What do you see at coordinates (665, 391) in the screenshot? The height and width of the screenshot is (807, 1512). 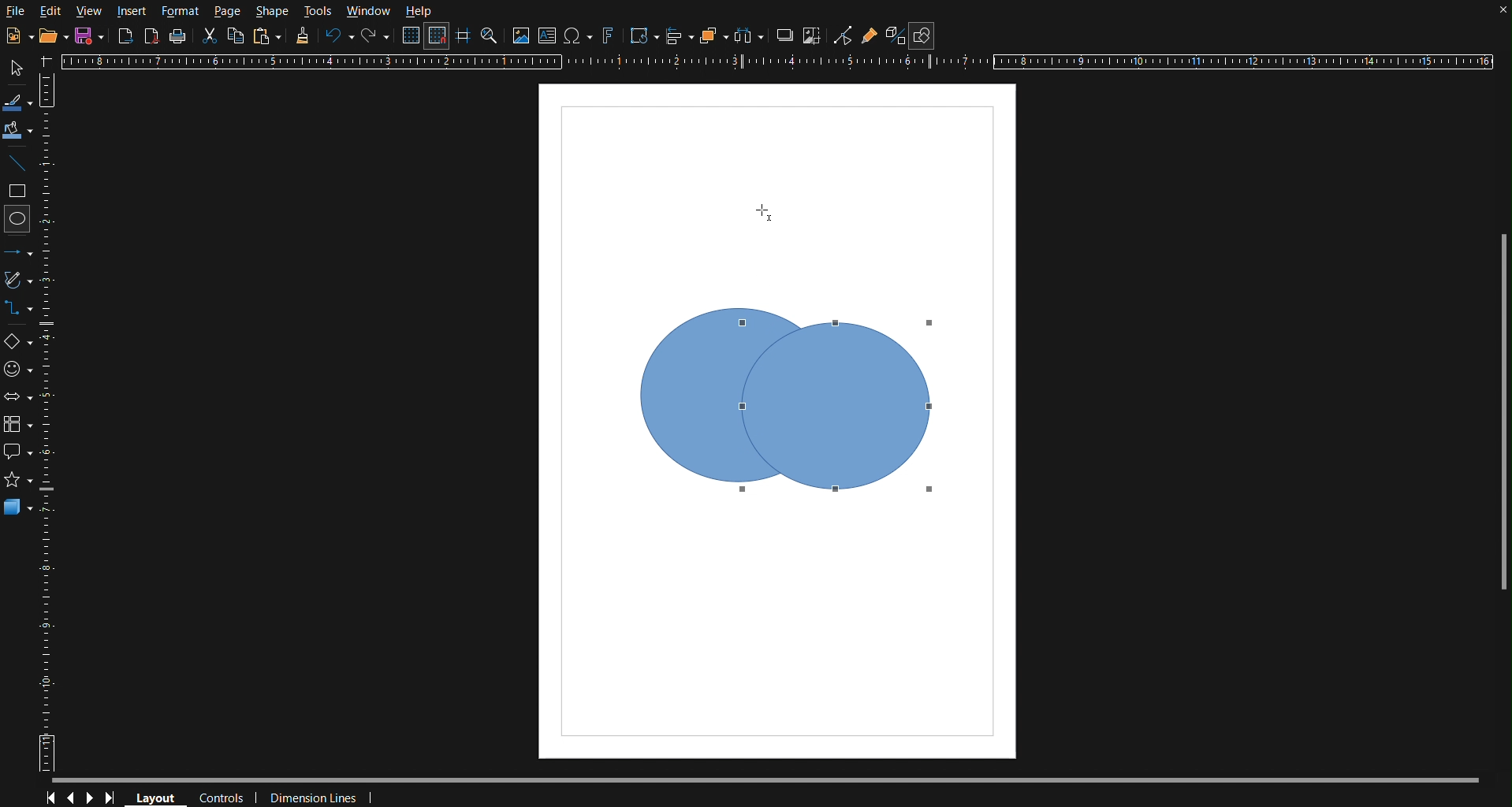 I see `Shape Box` at bounding box center [665, 391].